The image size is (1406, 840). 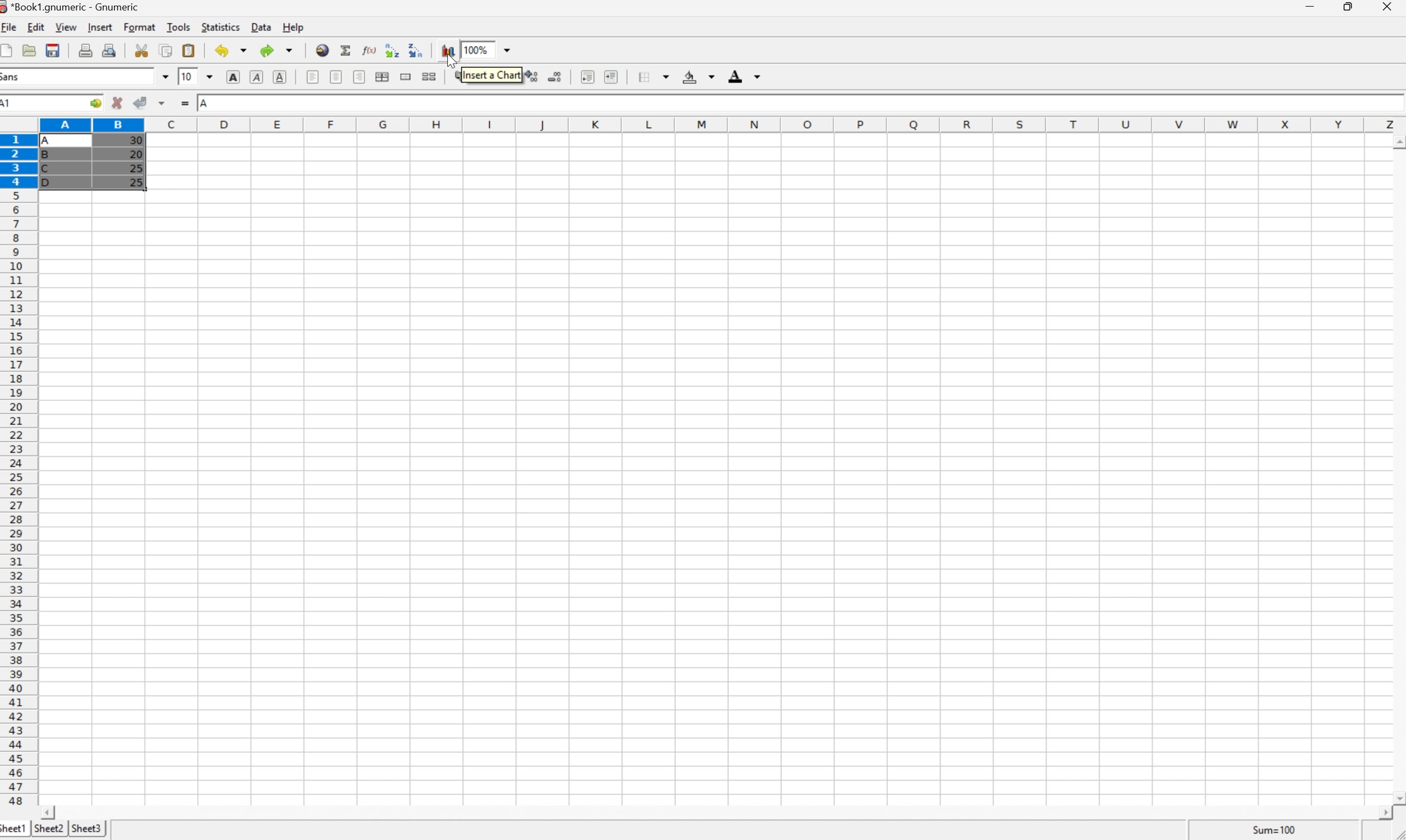 I want to click on Split merged ranges of cells, so click(x=428, y=77).